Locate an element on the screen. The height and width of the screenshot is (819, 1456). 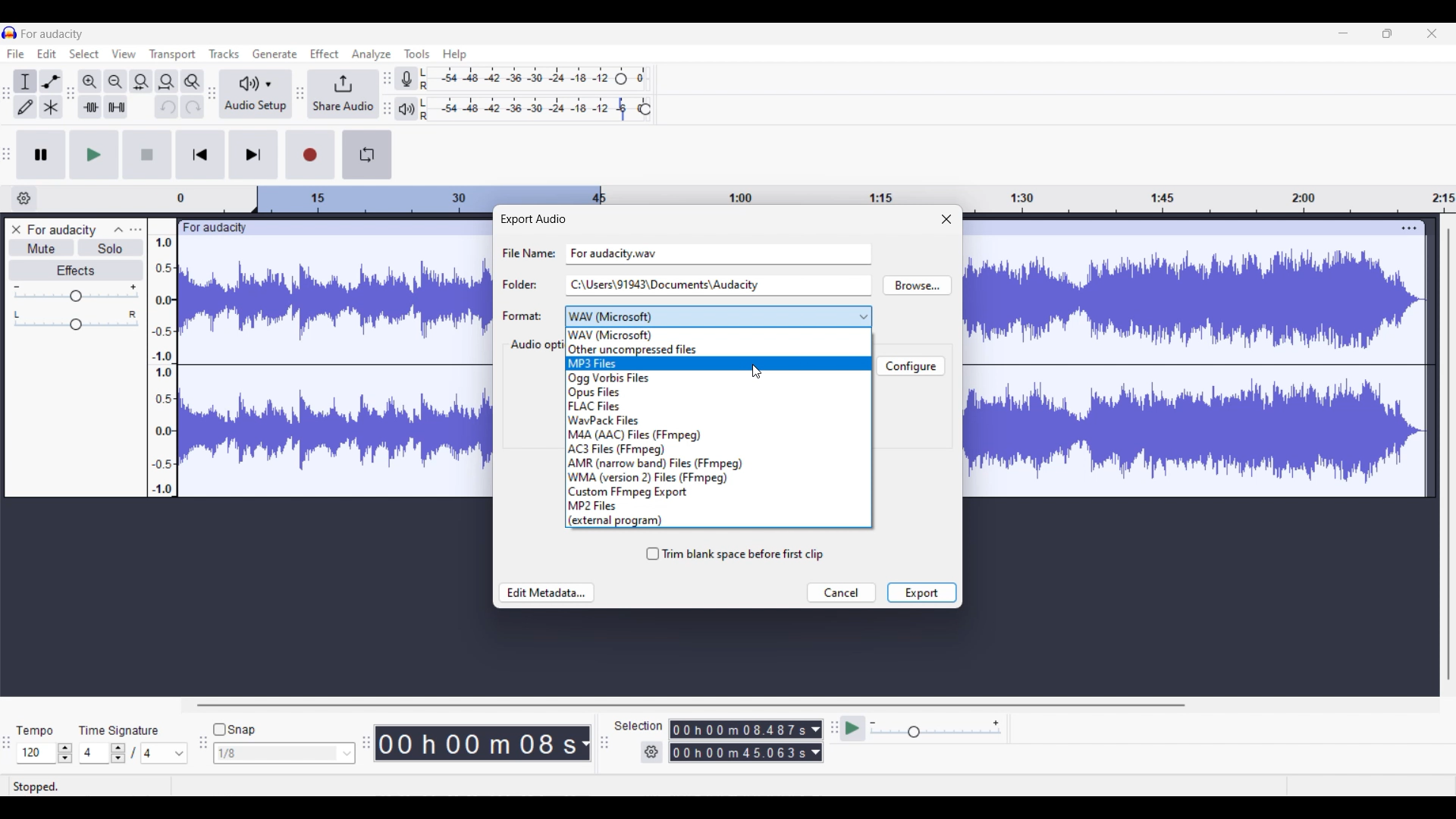
Indicates time signature settings is located at coordinates (119, 730).